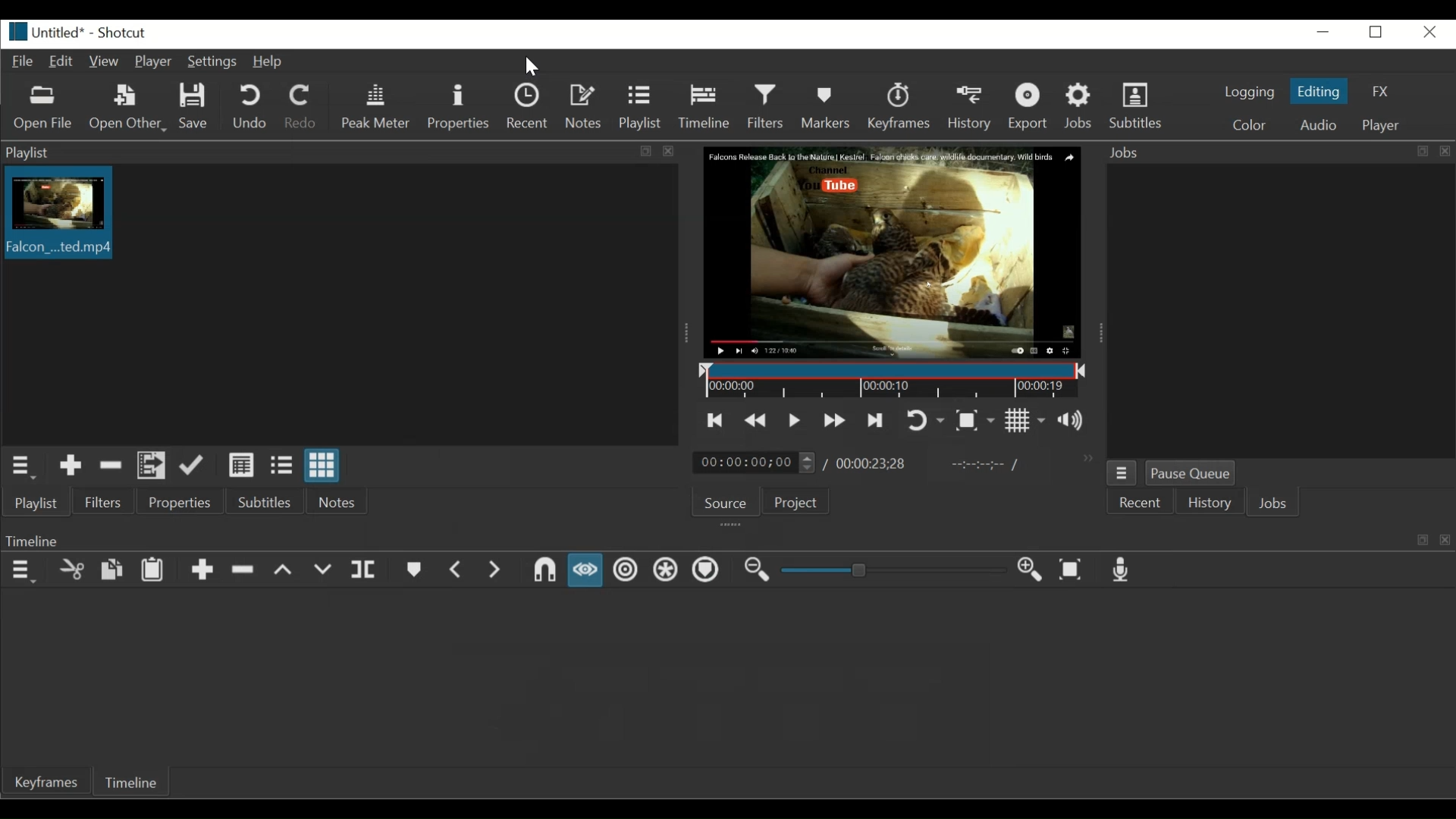 This screenshot has width=1456, height=819. I want to click on Jobs menu, so click(1122, 473).